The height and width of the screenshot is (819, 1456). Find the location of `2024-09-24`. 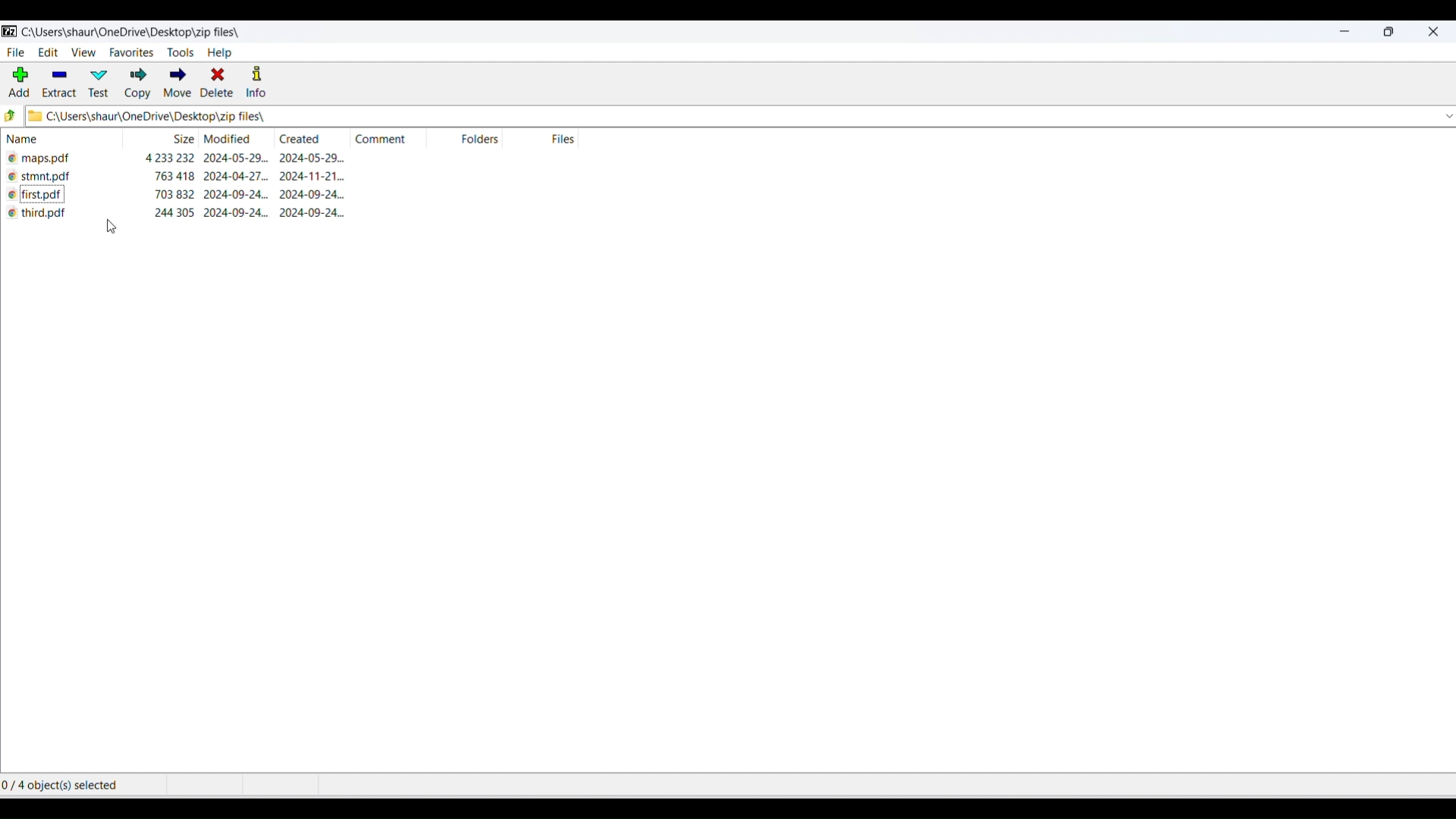

2024-09-24 is located at coordinates (233, 214).